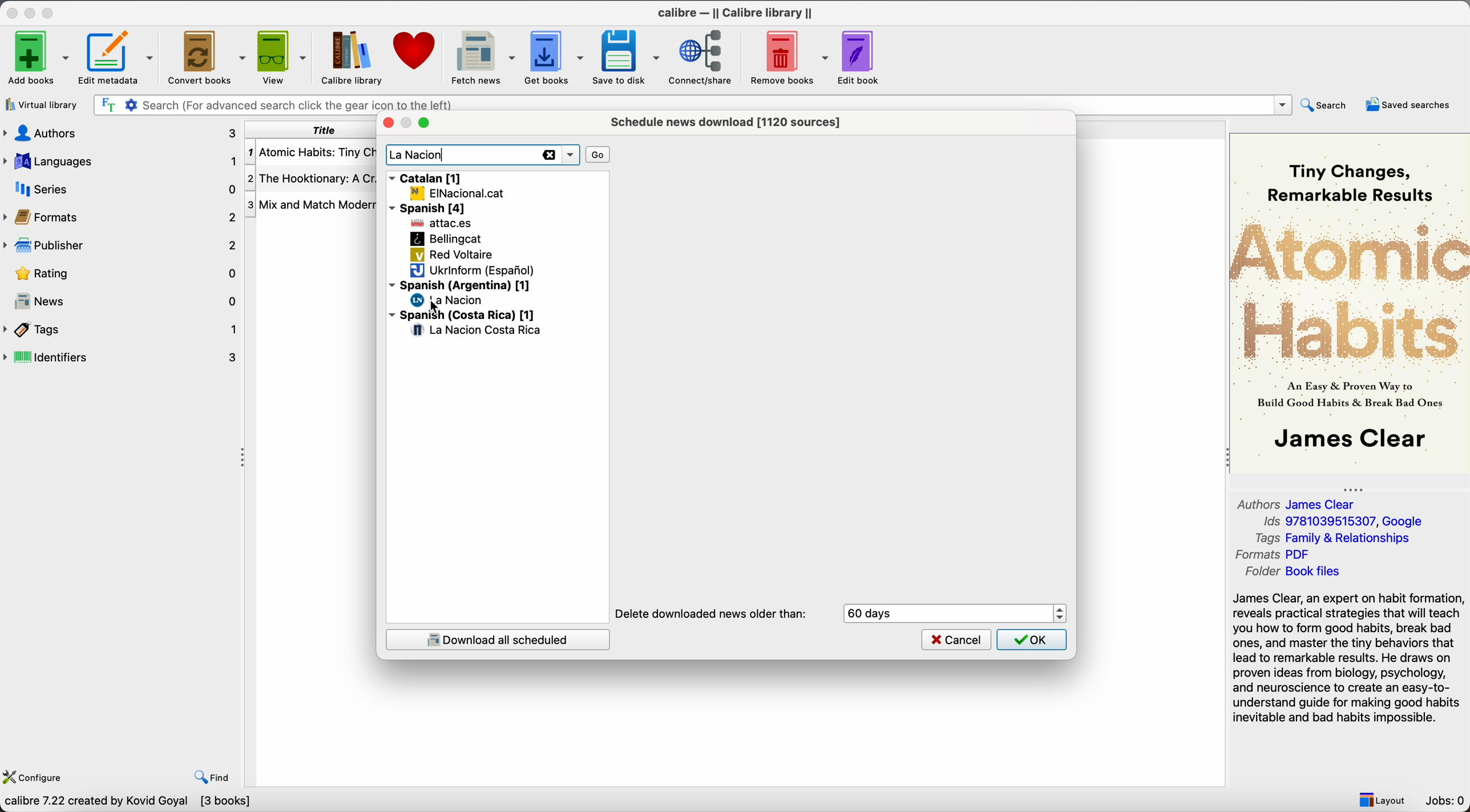 The image size is (1470, 812). What do you see at coordinates (118, 57) in the screenshot?
I see `Edit metadata` at bounding box center [118, 57].